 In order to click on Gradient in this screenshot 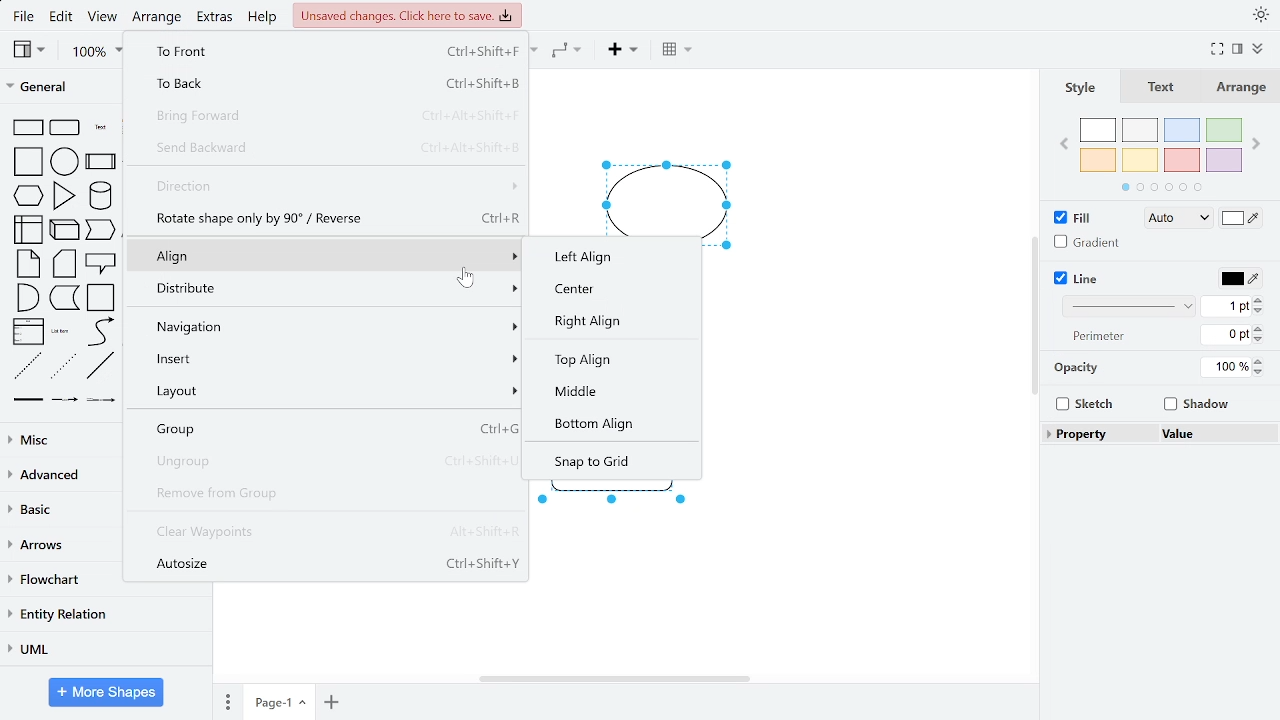, I will do `click(1083, 241)`.